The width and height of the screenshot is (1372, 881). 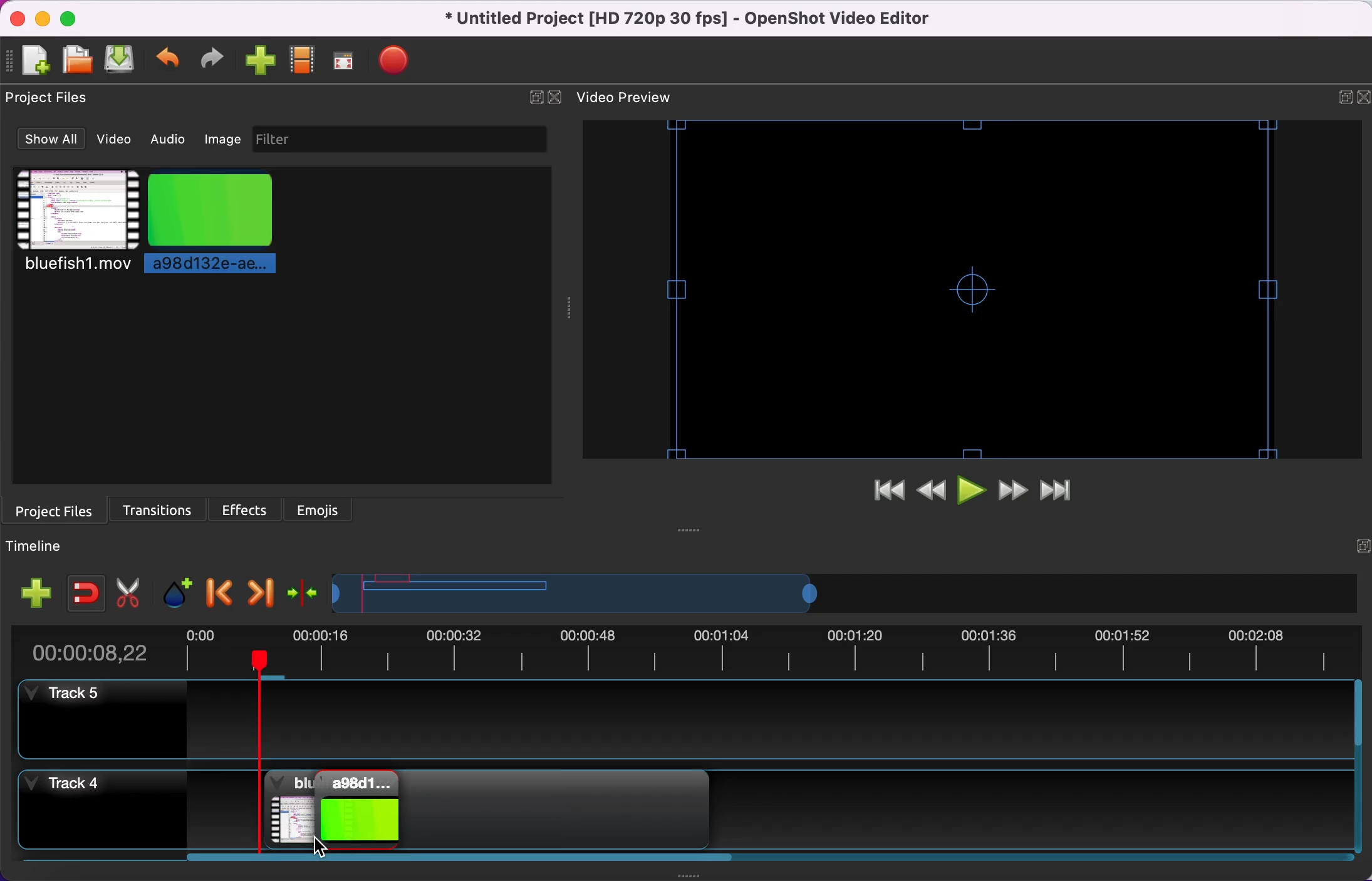 I want to click on add file, so click(x=29, y=60).